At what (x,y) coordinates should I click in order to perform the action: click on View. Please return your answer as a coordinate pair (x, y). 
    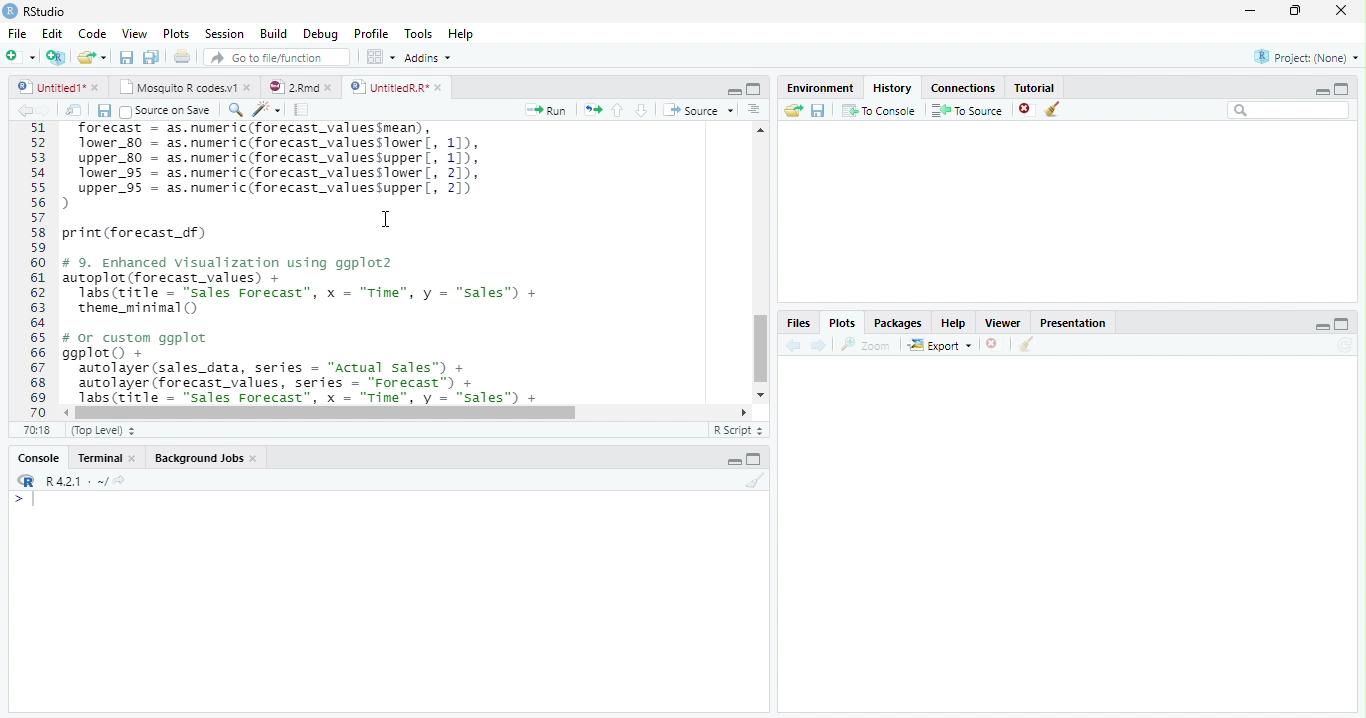
    Looking at the image, I should click on (133, 34).